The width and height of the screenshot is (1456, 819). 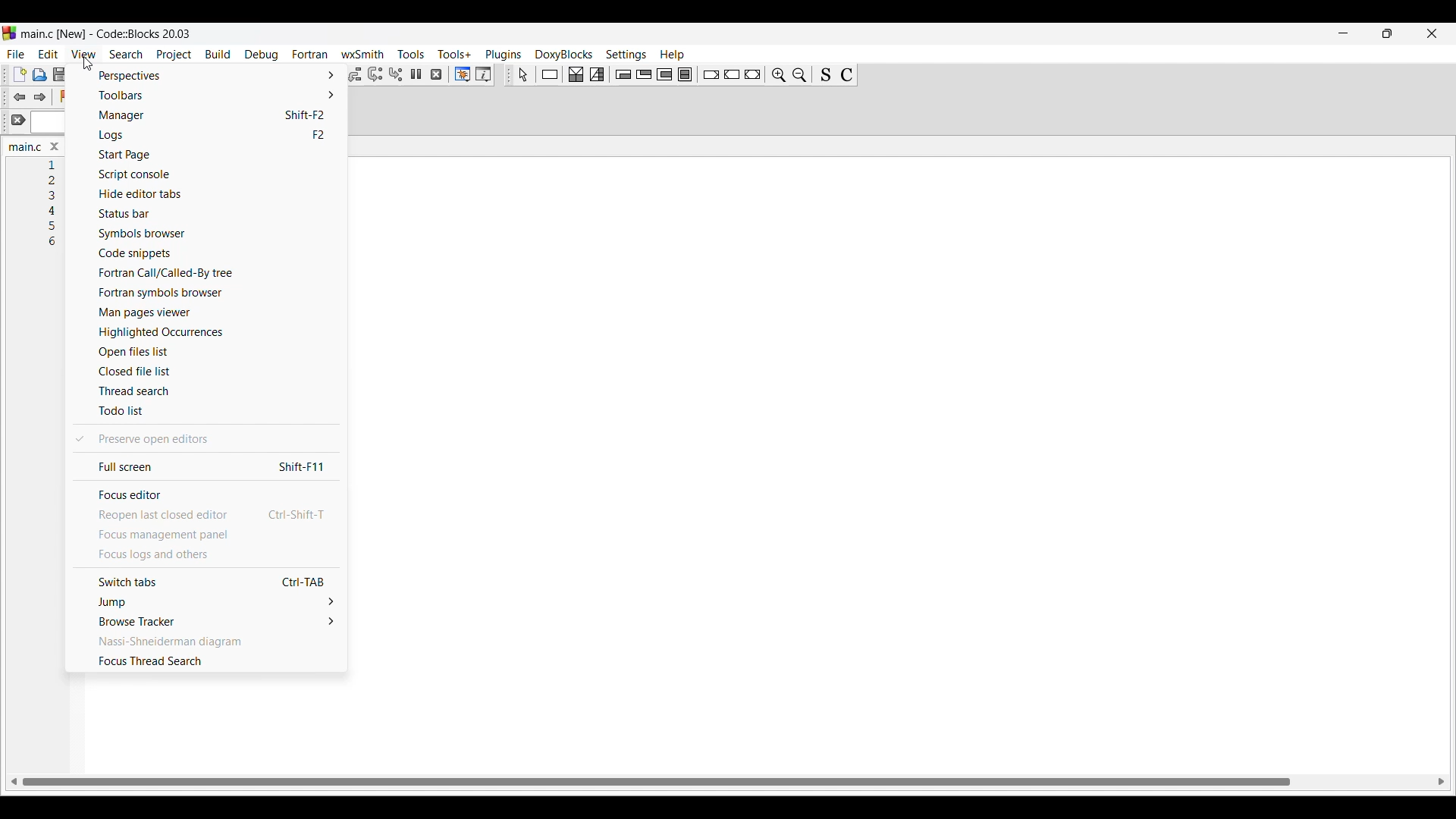 I want to click on Save, so click(x=60, y=74).